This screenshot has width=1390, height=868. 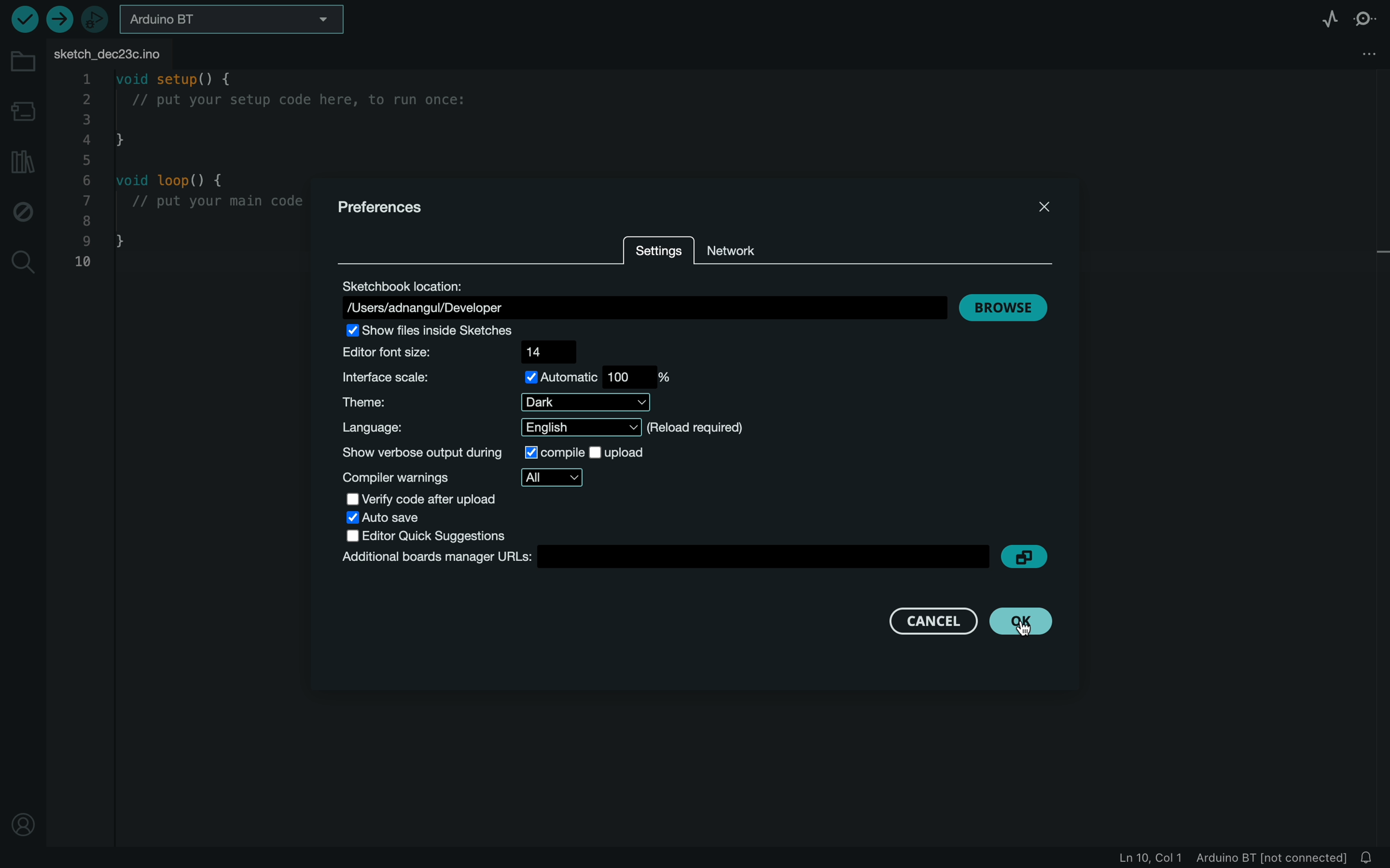 What do you see at coordinates (742, 247) in the screenshot?
I see `network` at bounding box center [742, 247].